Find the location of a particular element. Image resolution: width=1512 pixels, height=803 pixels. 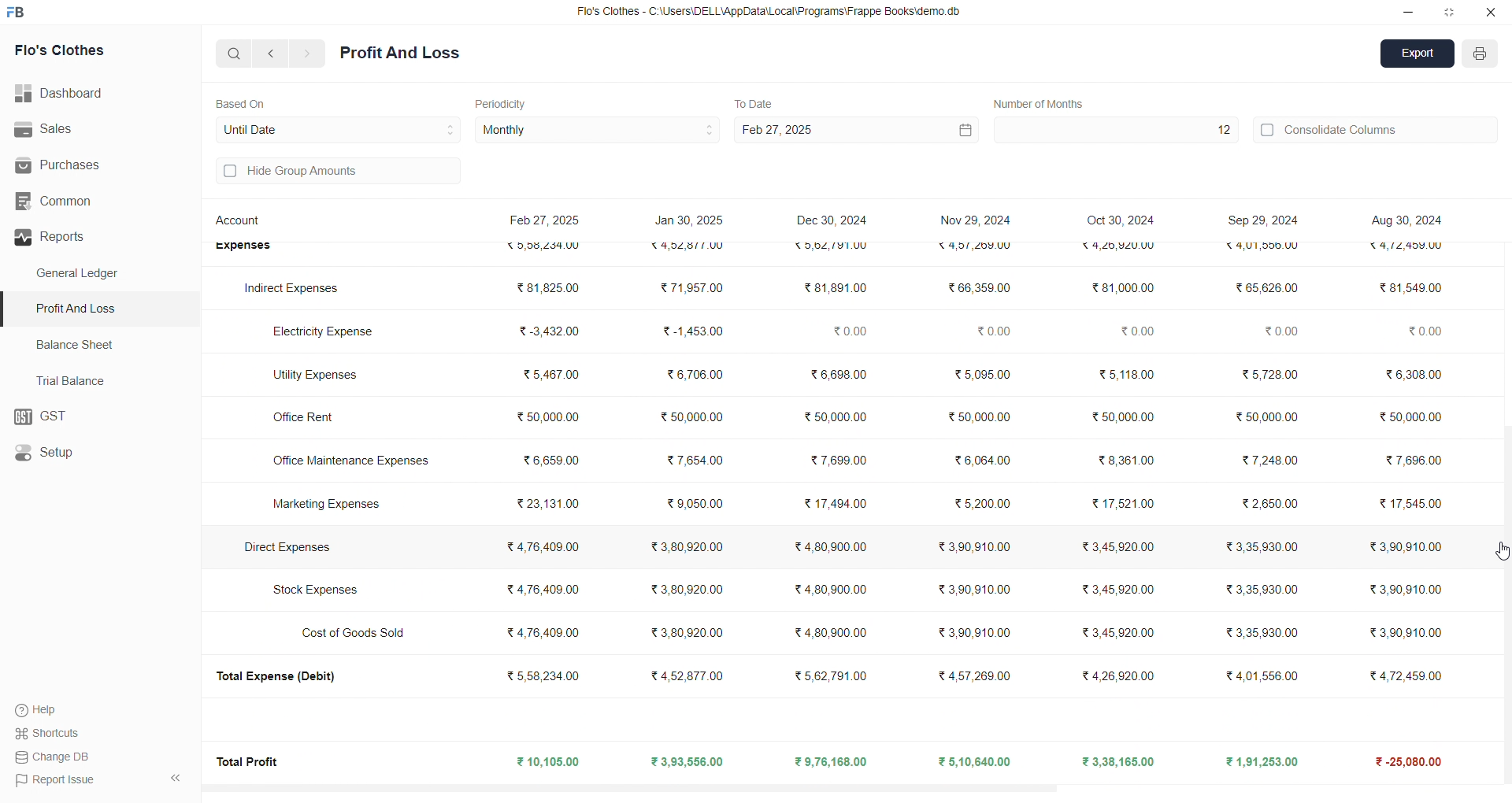

₹4,76,409.00 is located at coordinates (543, 547).